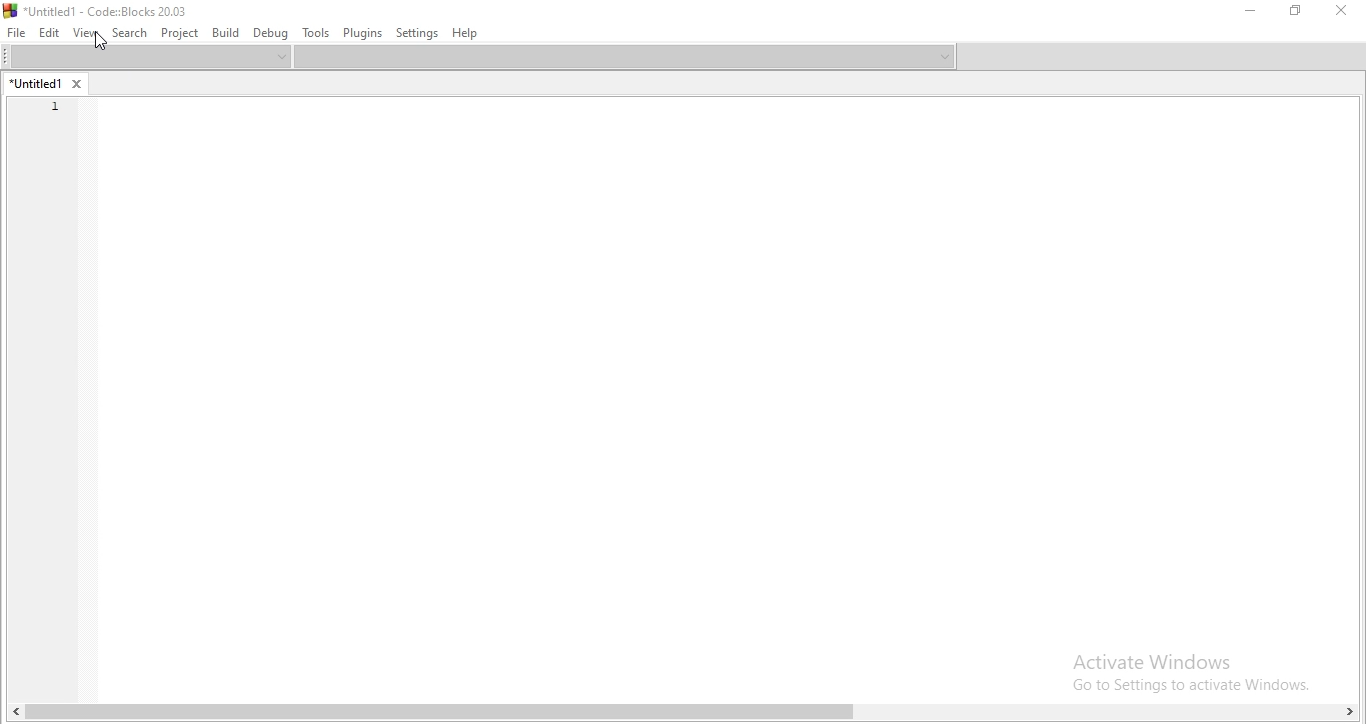 This screenshot has width=1366, height=724. Describe the element at coordinates (625, 59) in the screenshot. I see `empty dropdown` at that location.